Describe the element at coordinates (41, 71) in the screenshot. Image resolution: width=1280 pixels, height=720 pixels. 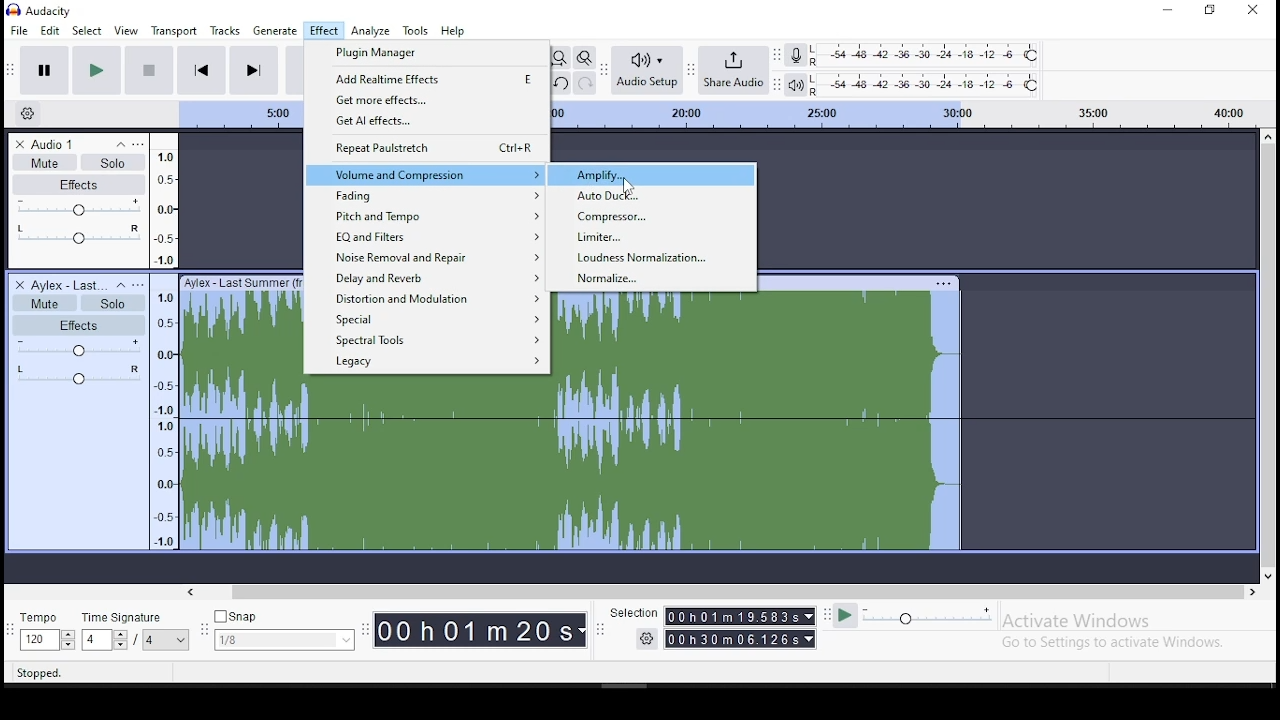
I see `pause` at that location.